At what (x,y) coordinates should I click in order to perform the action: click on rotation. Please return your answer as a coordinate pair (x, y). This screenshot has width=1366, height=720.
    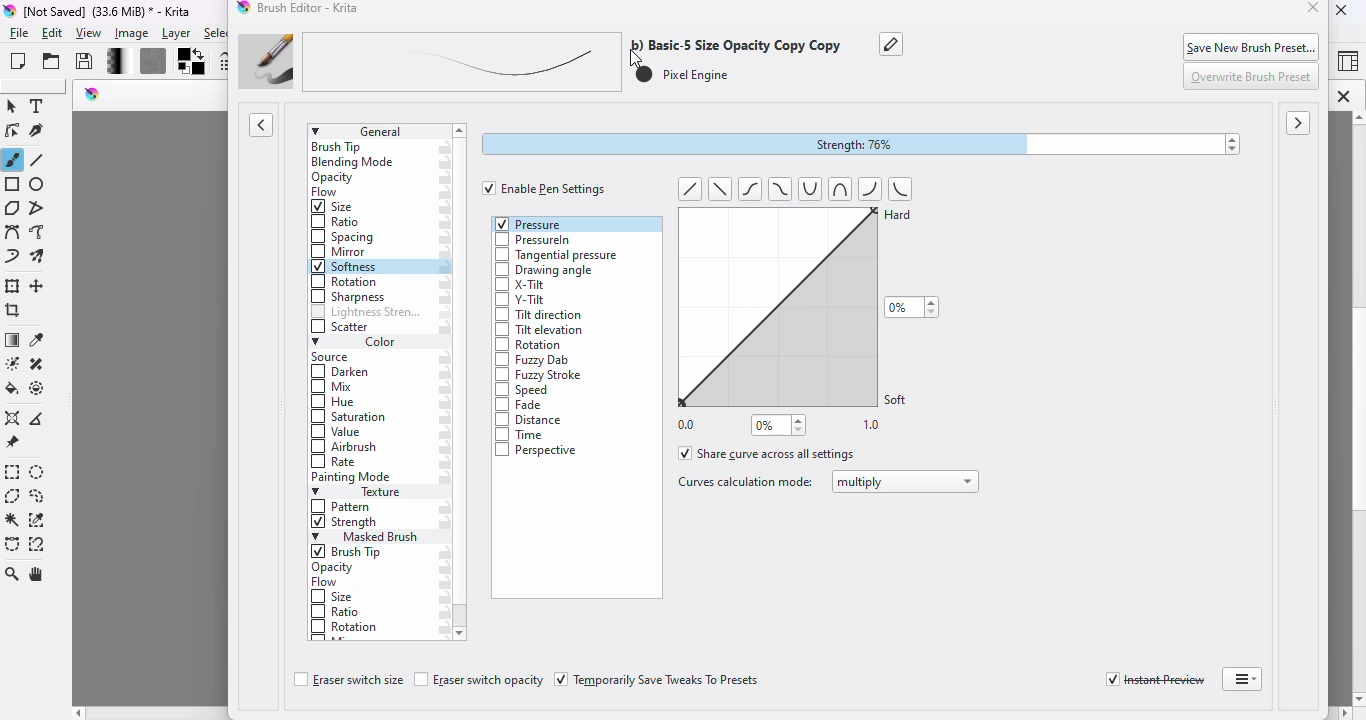
    Looking at the image, I should click on (343, 282).